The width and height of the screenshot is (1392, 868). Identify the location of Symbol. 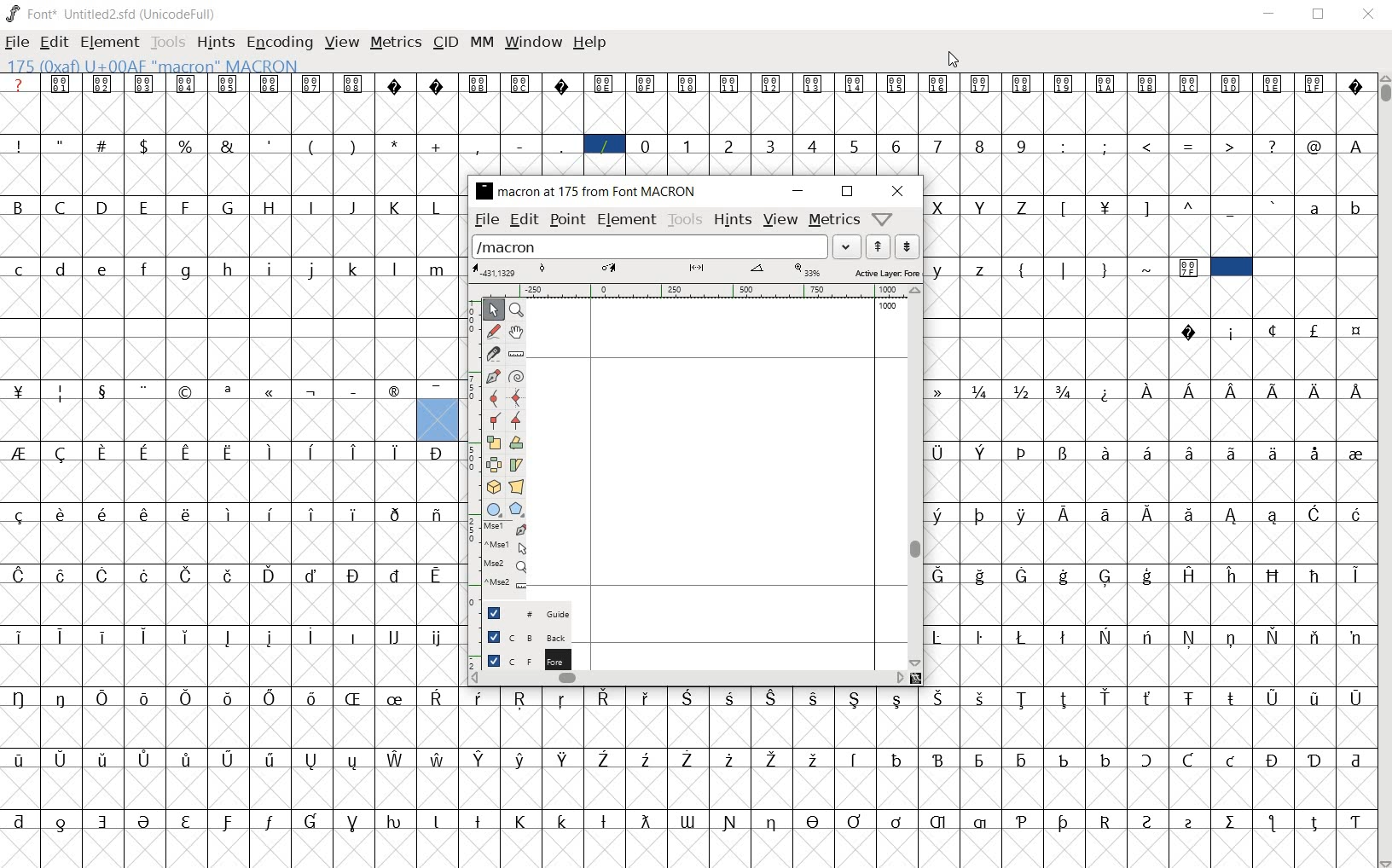
(1191, 85).